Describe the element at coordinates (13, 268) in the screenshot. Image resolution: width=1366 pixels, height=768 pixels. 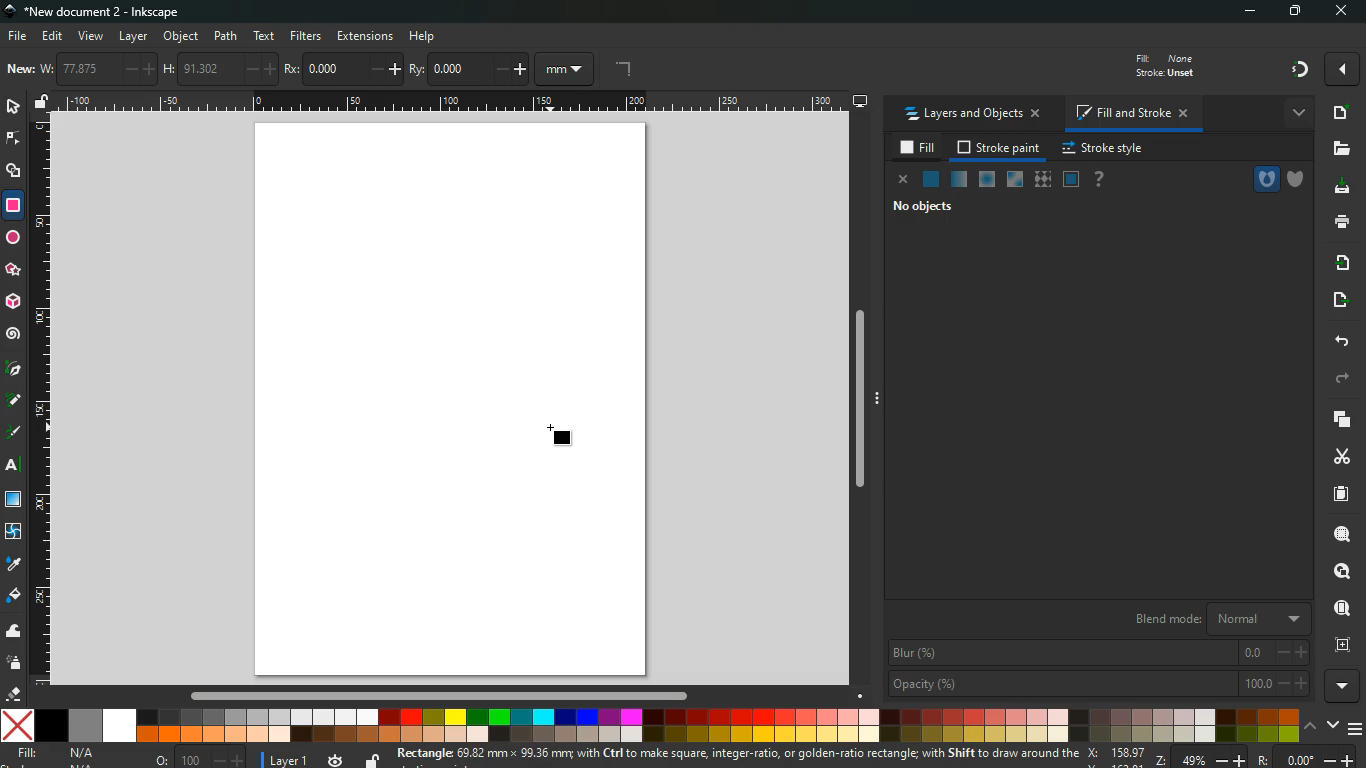
I see `star polygon` at that location.